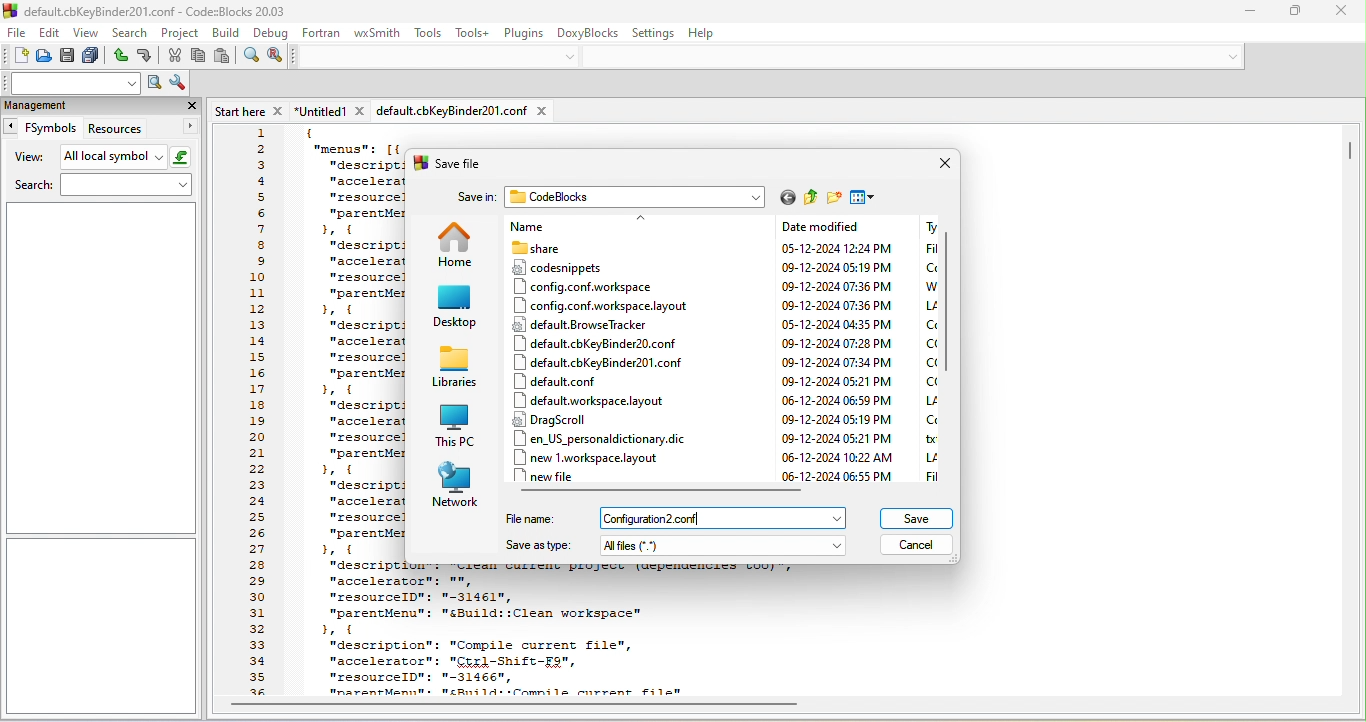 Image resolution: width=1366 pixels, height=722 pixels. Describe the element at coordinates (530, 518) in the screenshot. I see `File name:` at that location.